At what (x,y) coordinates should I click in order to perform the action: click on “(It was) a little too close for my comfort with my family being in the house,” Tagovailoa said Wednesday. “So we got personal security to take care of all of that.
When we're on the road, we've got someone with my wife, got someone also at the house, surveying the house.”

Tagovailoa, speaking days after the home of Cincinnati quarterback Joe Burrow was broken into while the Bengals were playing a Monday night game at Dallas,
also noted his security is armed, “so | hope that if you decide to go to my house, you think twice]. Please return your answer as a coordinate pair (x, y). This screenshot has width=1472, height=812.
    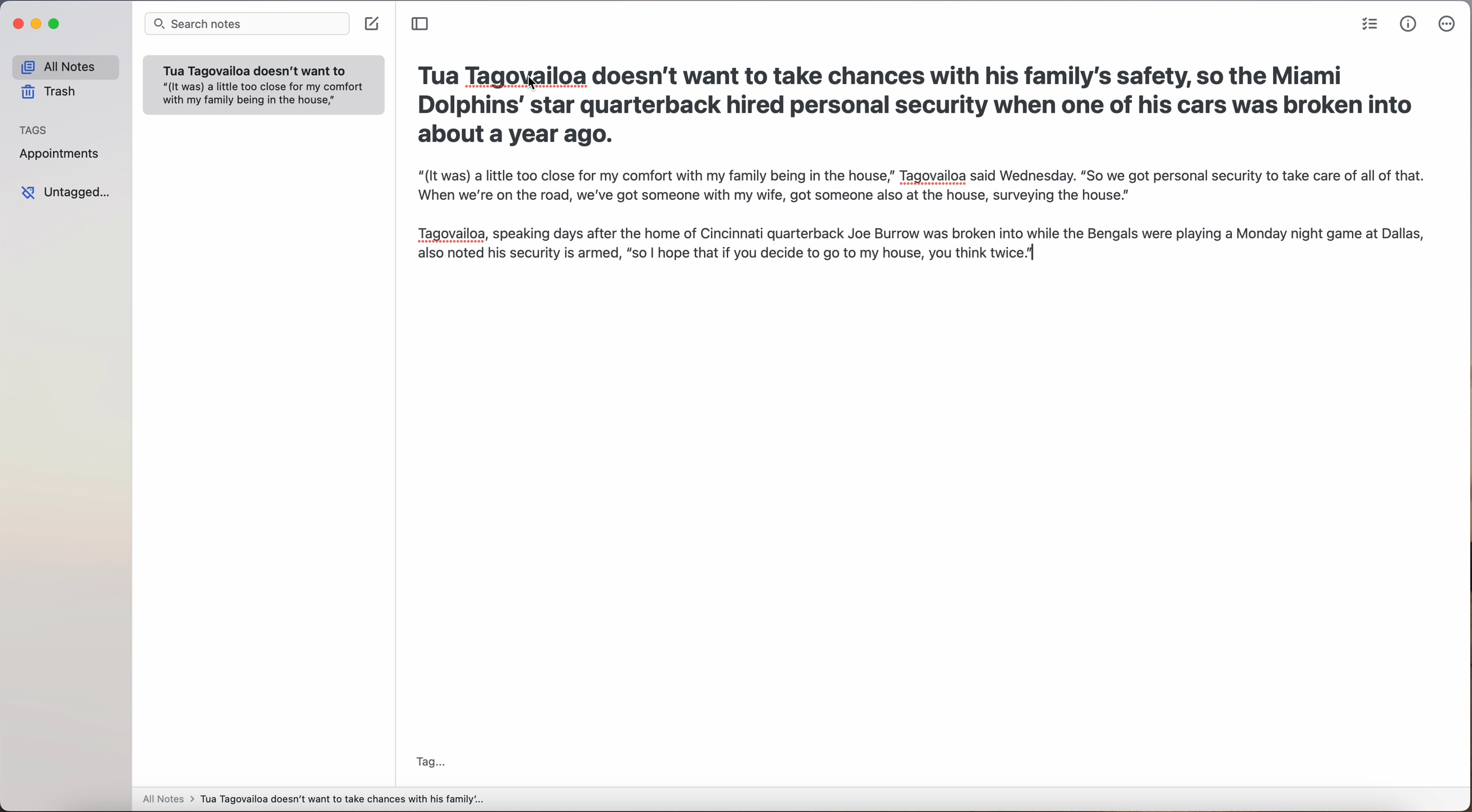
    Looking at the image, I should click on (923, 224).